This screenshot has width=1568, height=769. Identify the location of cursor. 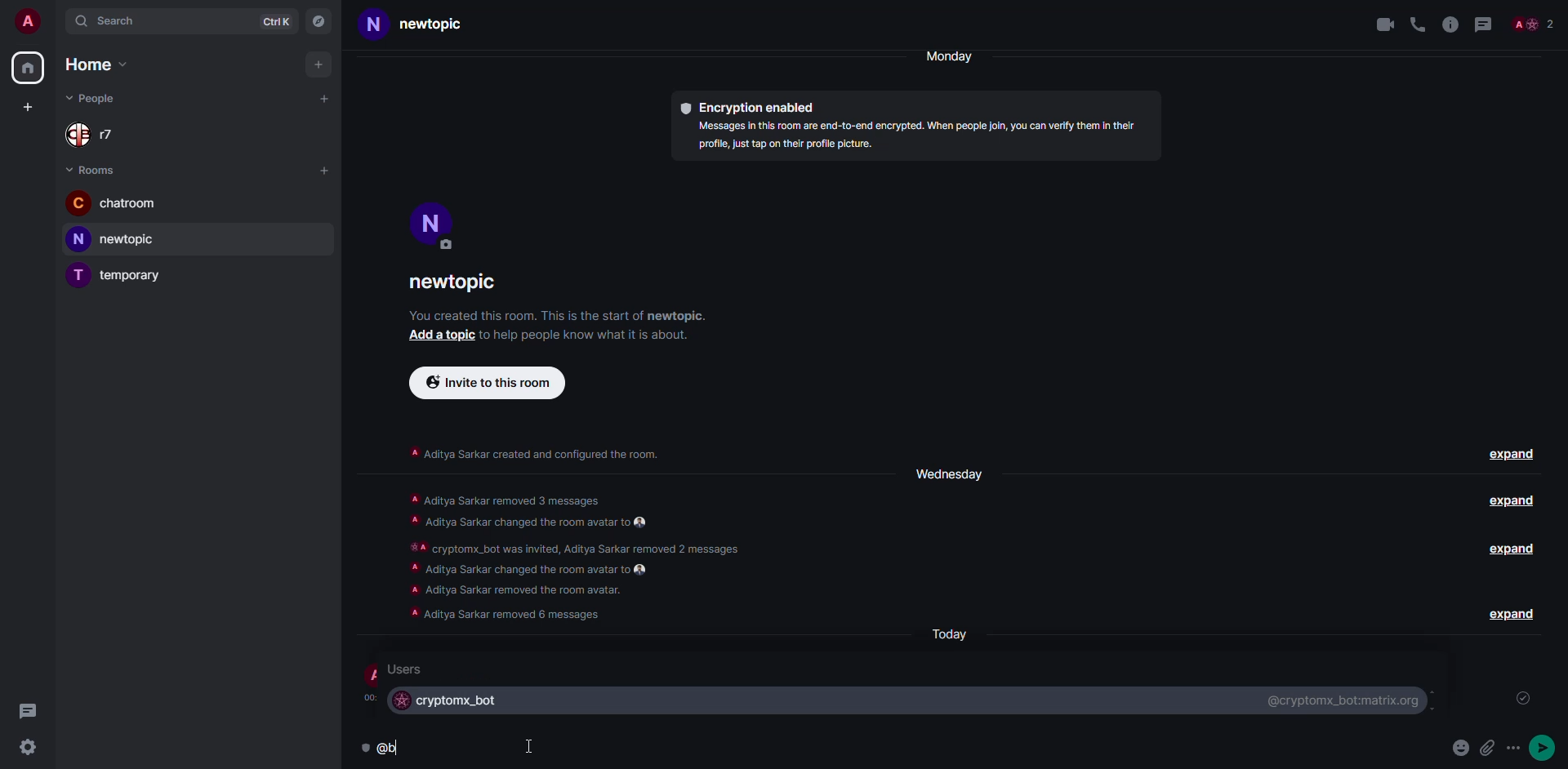
(531, 745).